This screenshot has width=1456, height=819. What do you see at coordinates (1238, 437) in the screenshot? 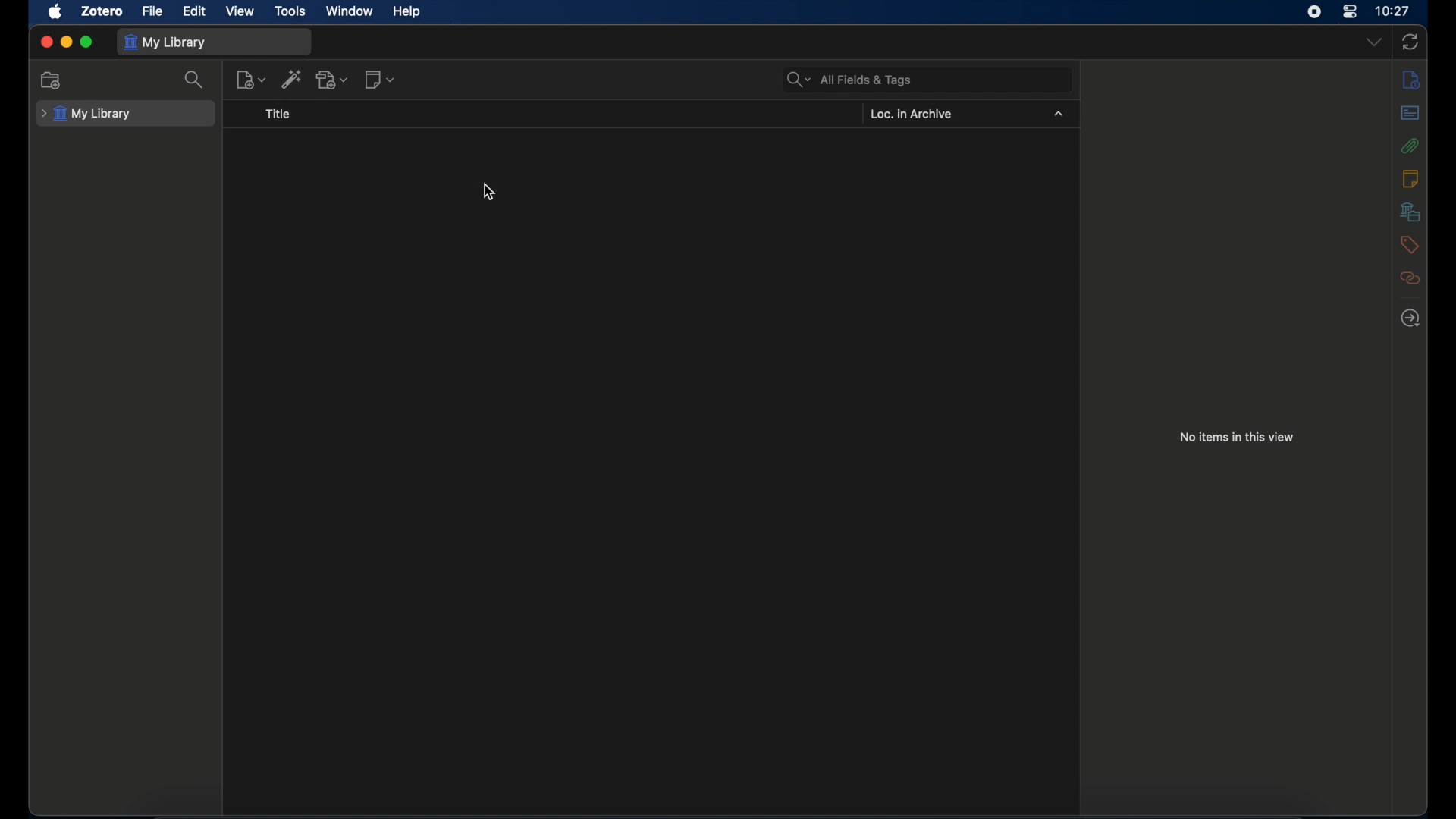
I see `no items in this view` at bounding box center [1238, 437].